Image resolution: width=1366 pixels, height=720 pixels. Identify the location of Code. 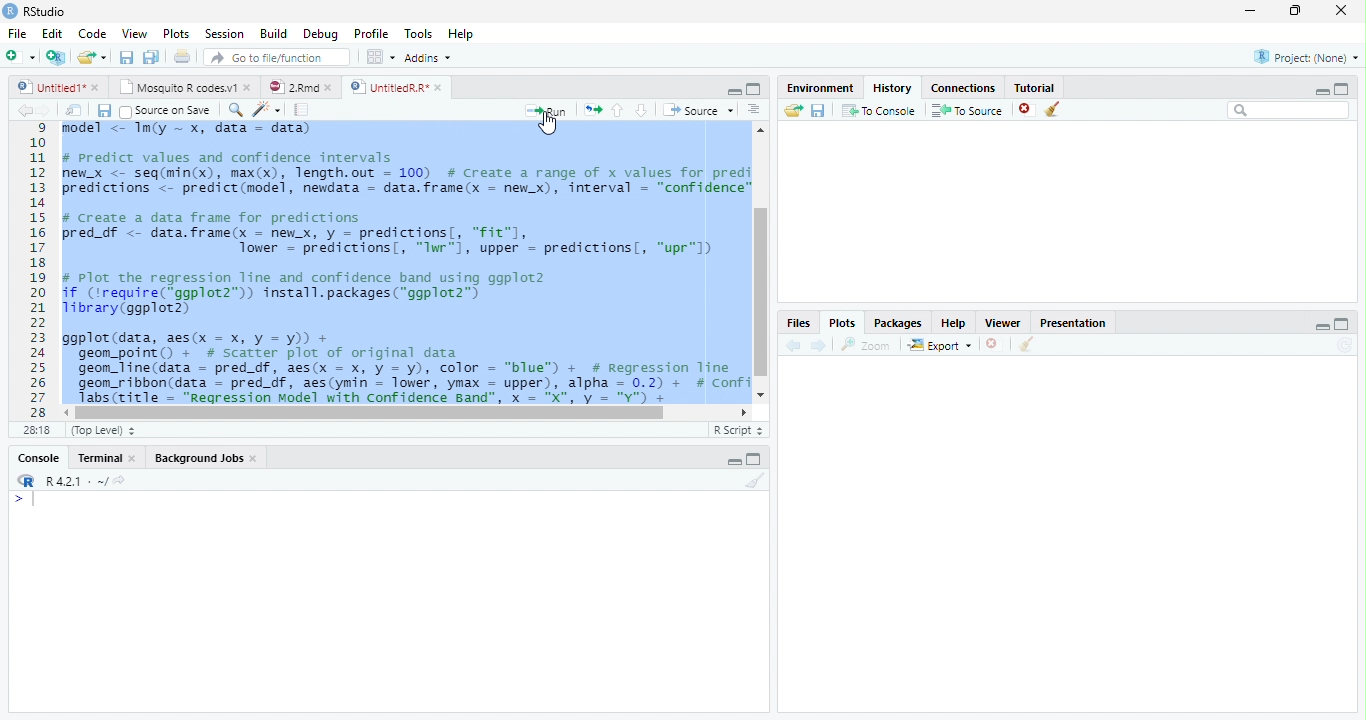
(93, 34).